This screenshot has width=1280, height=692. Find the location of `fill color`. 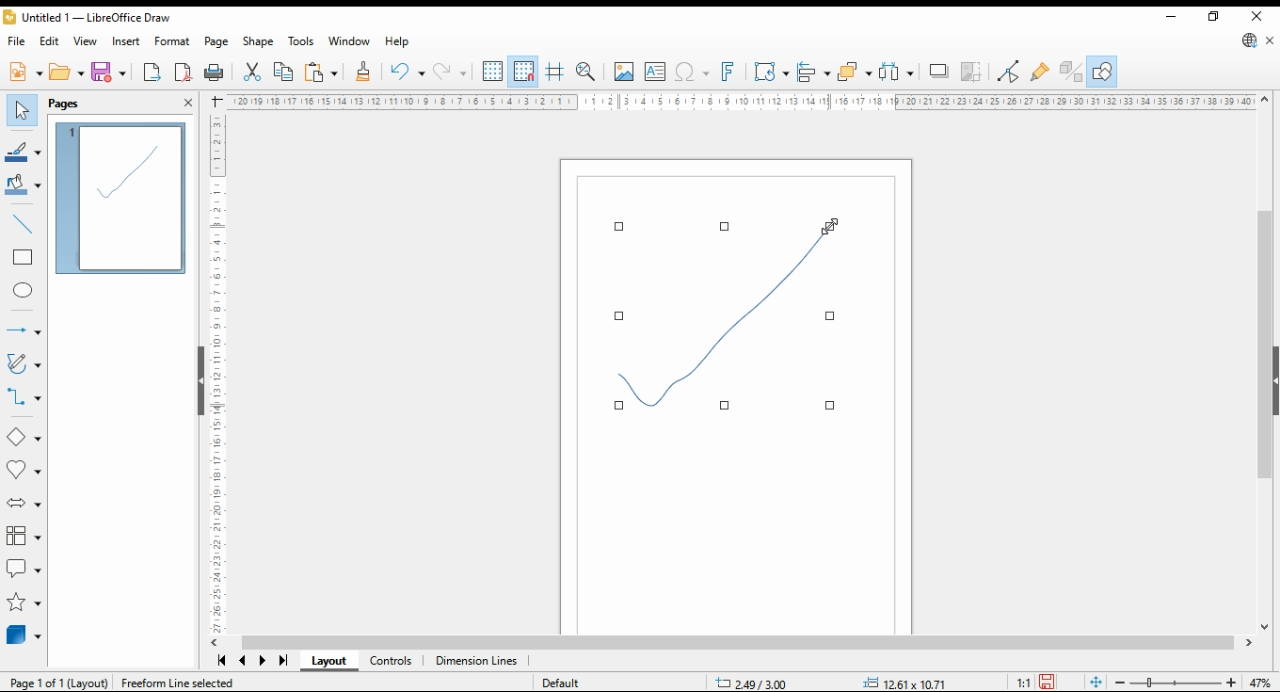

fill color is located at coordinates (24, 185).